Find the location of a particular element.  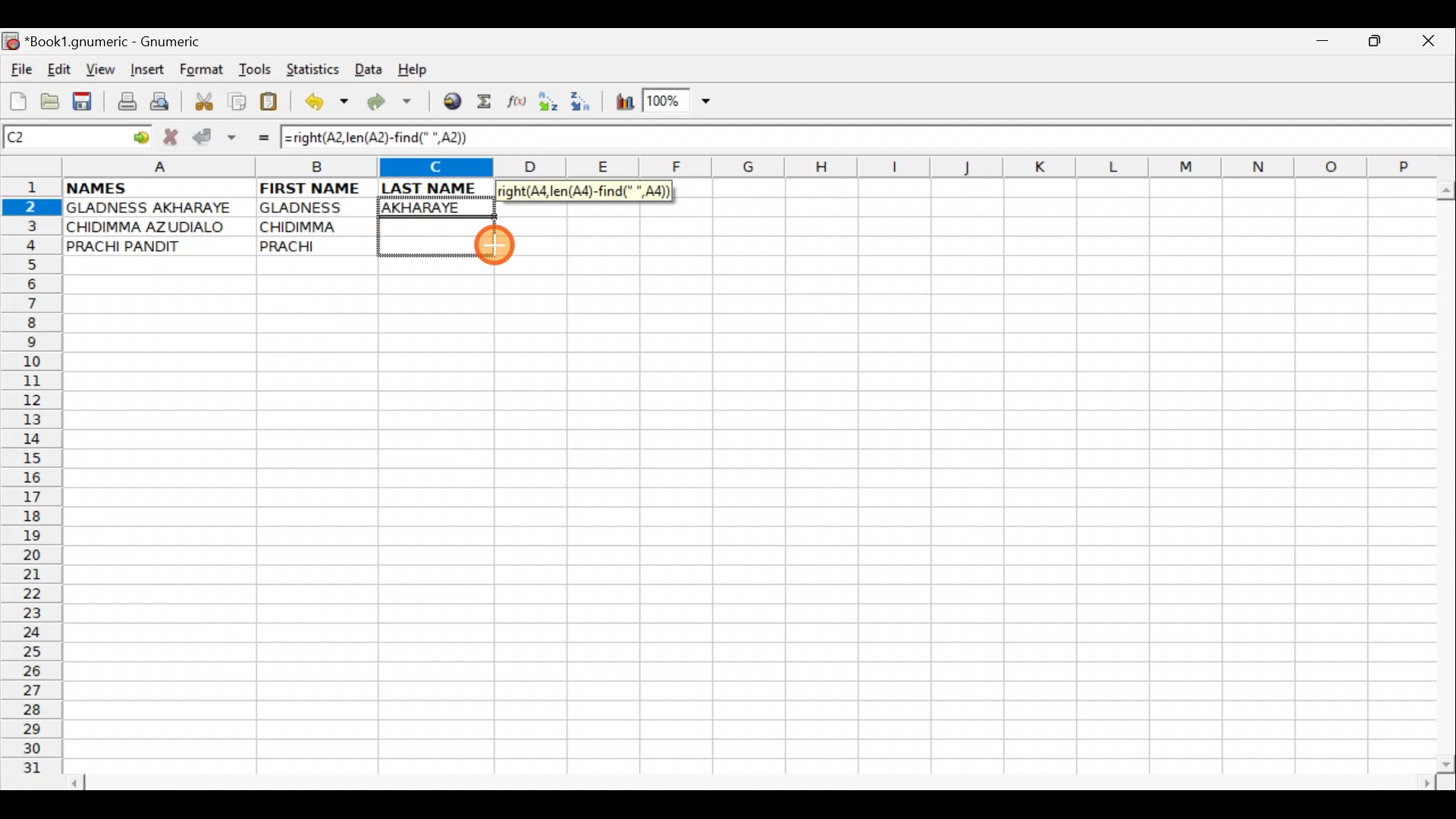

Sort Descending order is located at coordinates (585, 105).